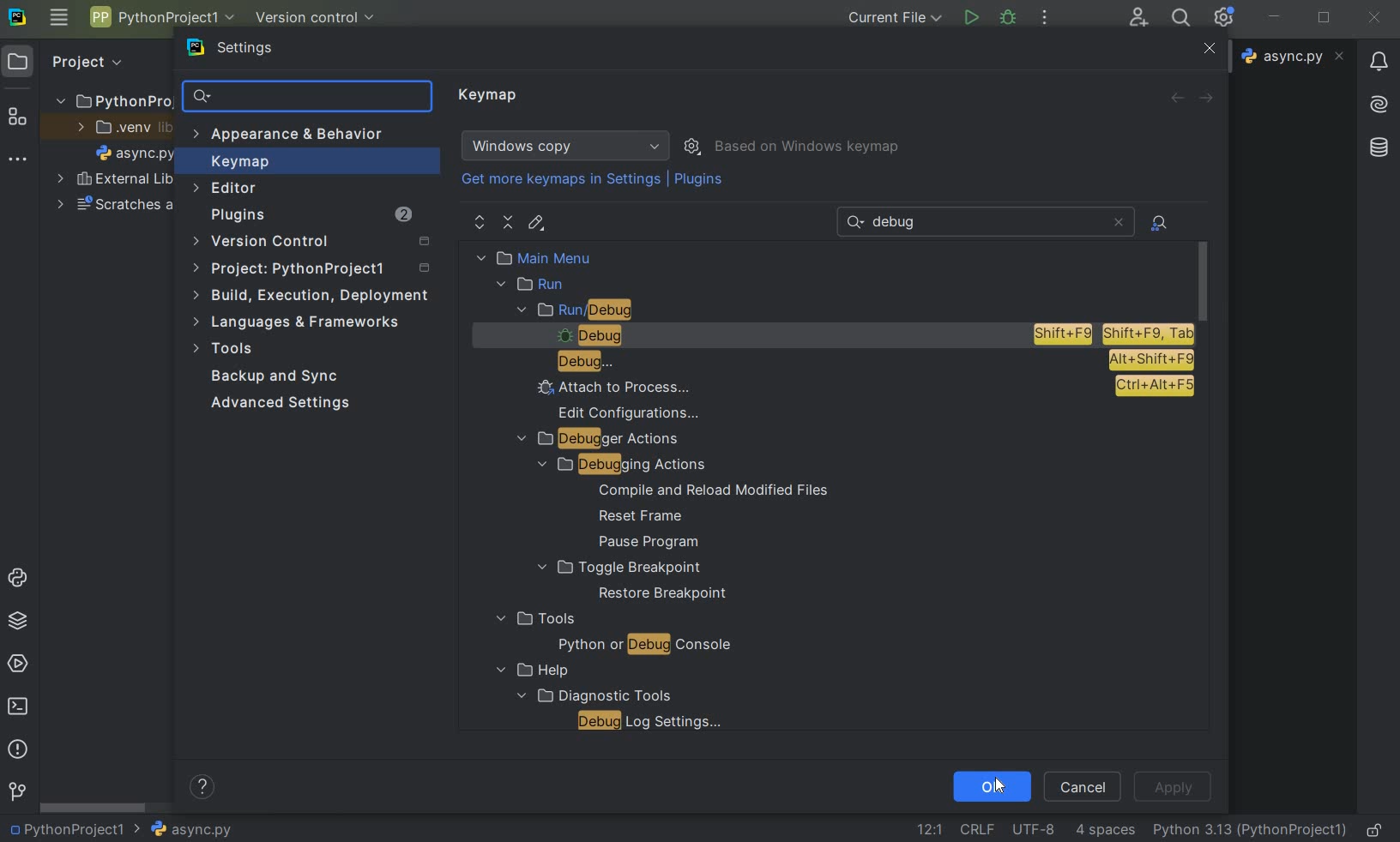 This screenshot has width=1400, height=842. I want to click on compile and reload modified files, so click(714, 490).